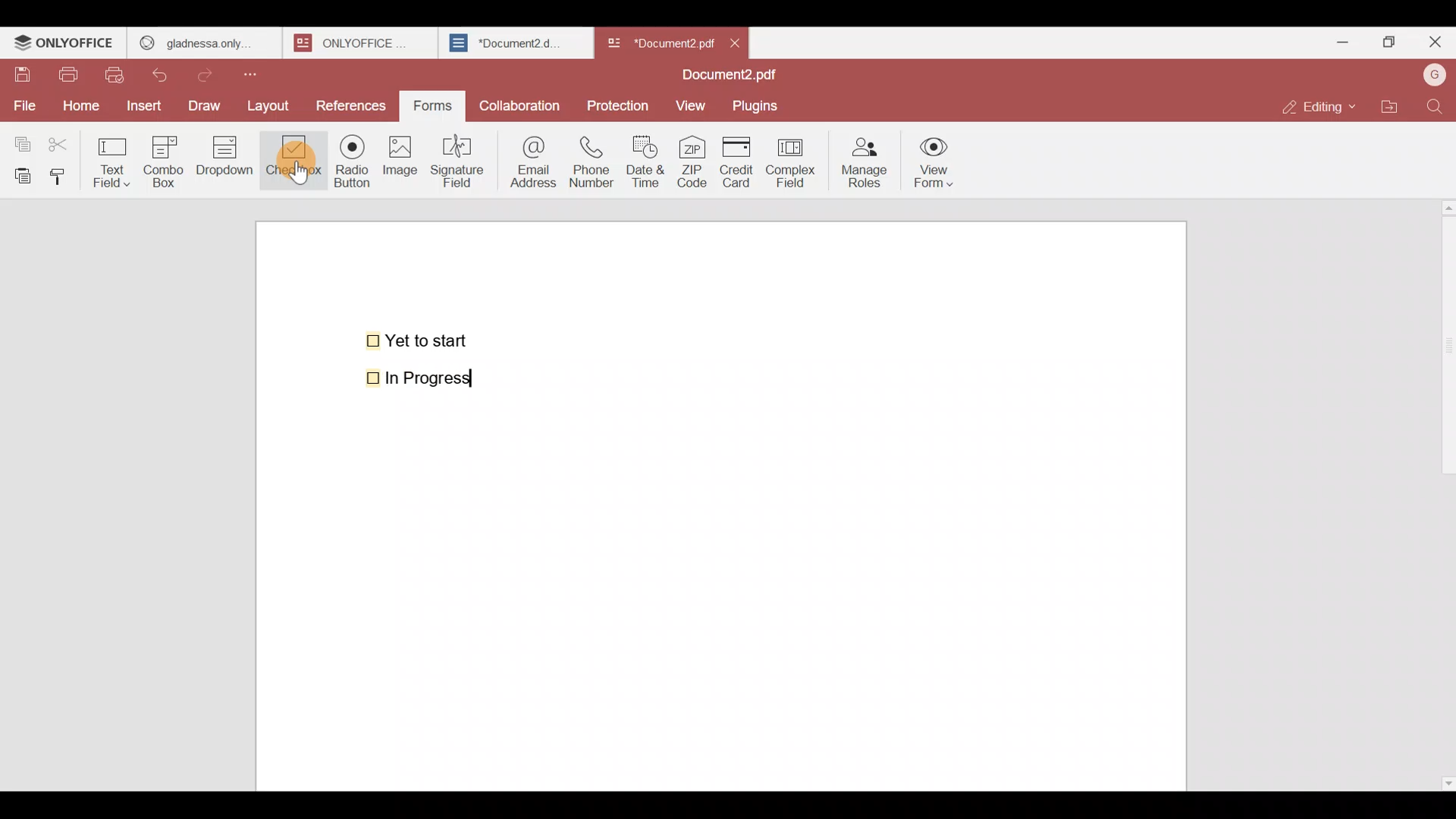 Image resolution: width=1456 pixels, height=819 pixels. What do you see at coordinates (761, 106) in the screenshot?
I see `Plugins` at bounding box center [761, 106].